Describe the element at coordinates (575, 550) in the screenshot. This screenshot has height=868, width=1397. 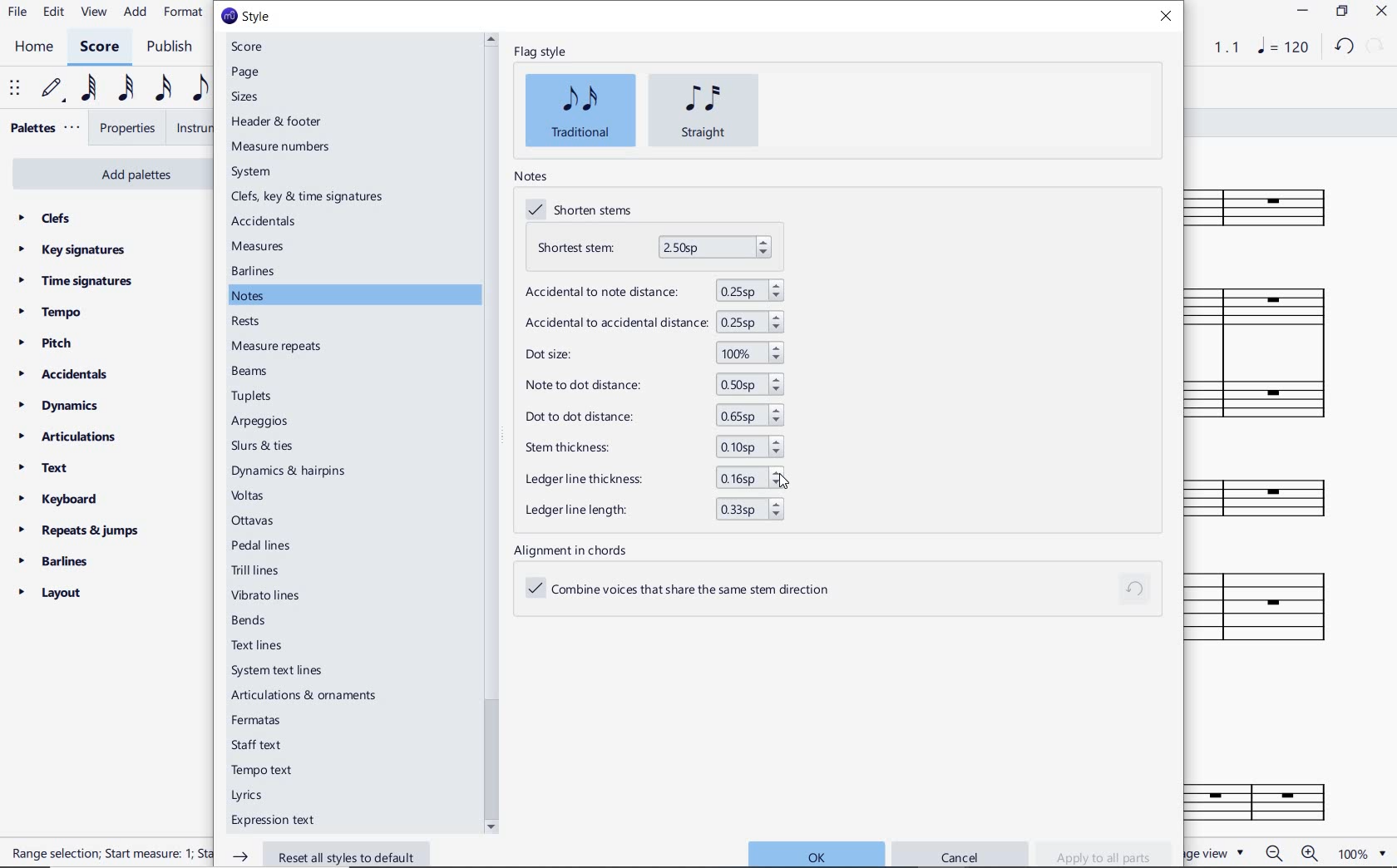
I see `alignment in chords` at that location.